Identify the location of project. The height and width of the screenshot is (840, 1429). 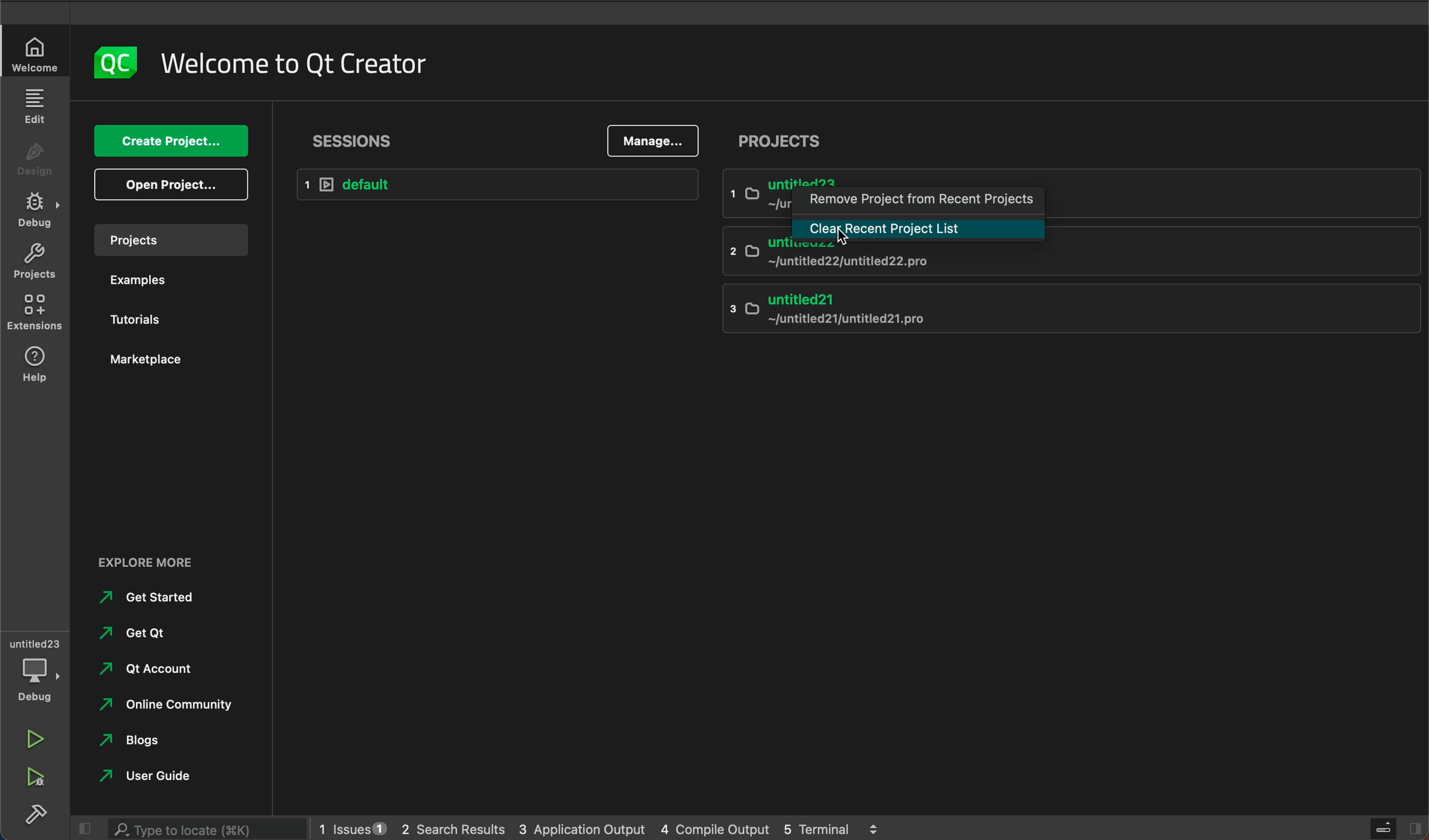
(784, 142).